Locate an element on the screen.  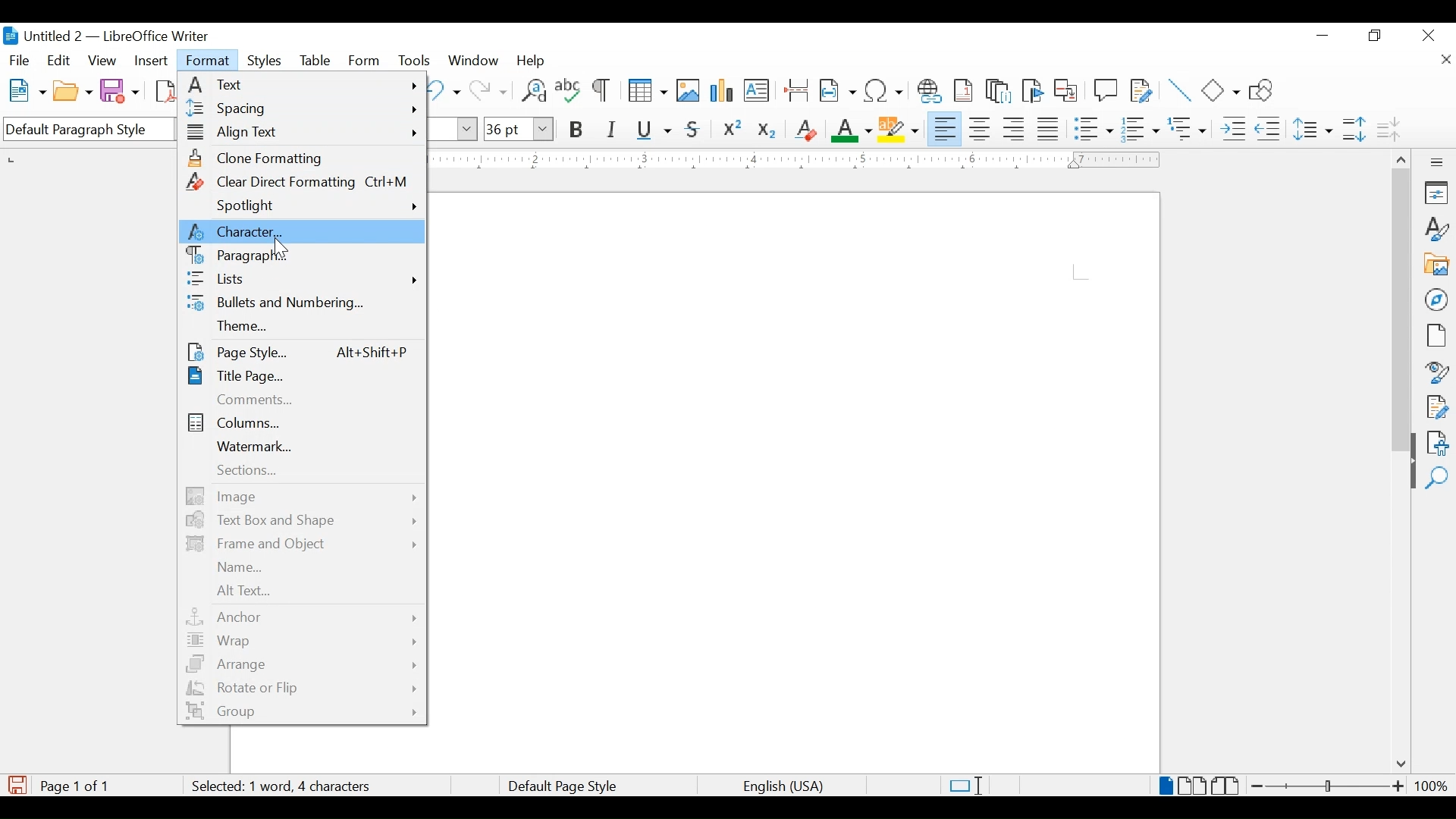
save document is located at coordinates (17, 785).